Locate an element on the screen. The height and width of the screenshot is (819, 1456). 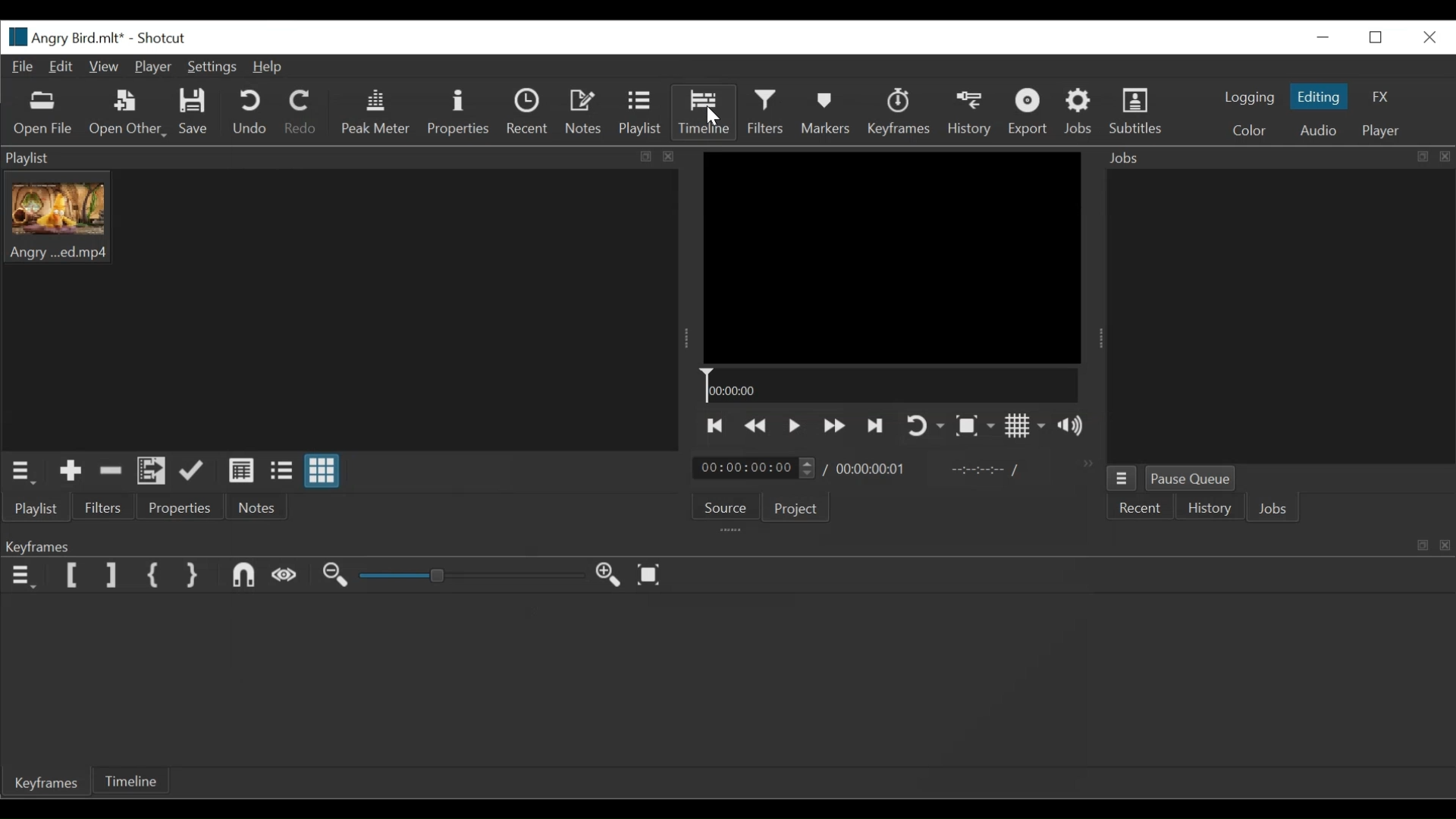
Timeline is located at coordinates (890, 384).